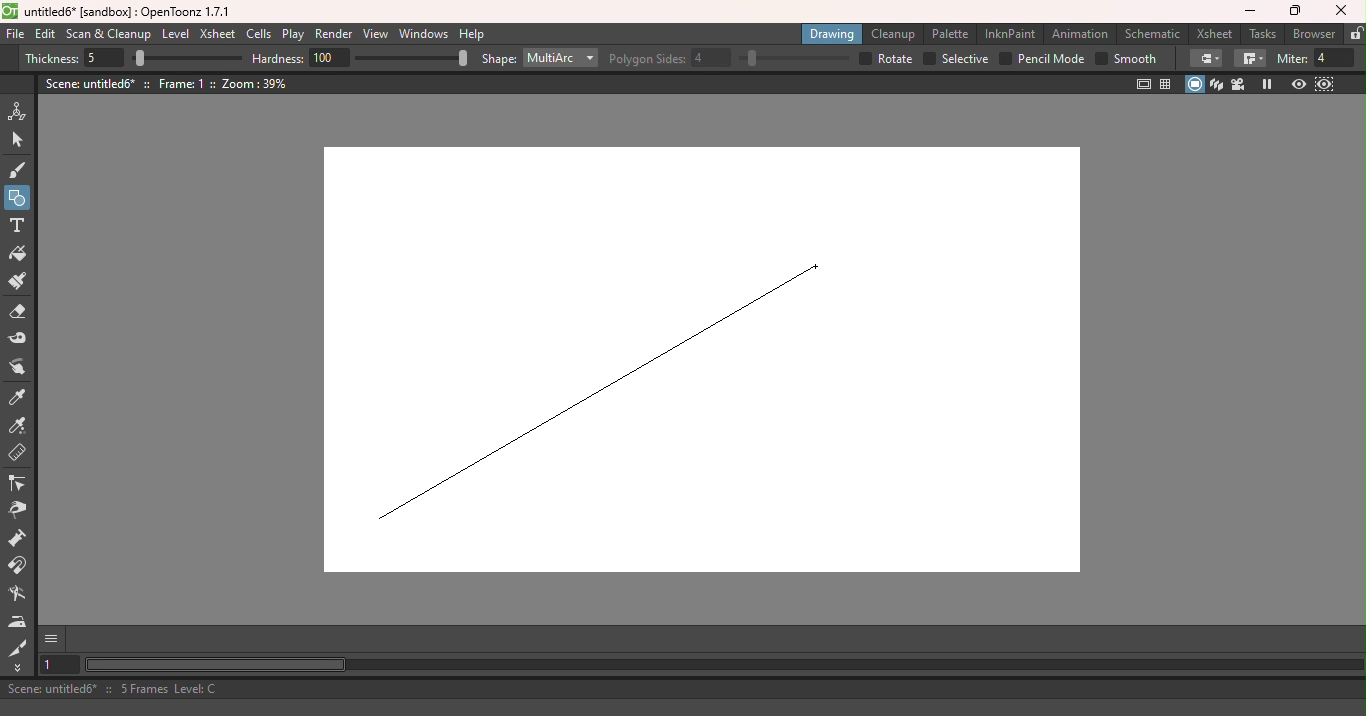 The width and height of the screenshot is (1366, 716). I want to click on Polygon sides, so click(671, 56).